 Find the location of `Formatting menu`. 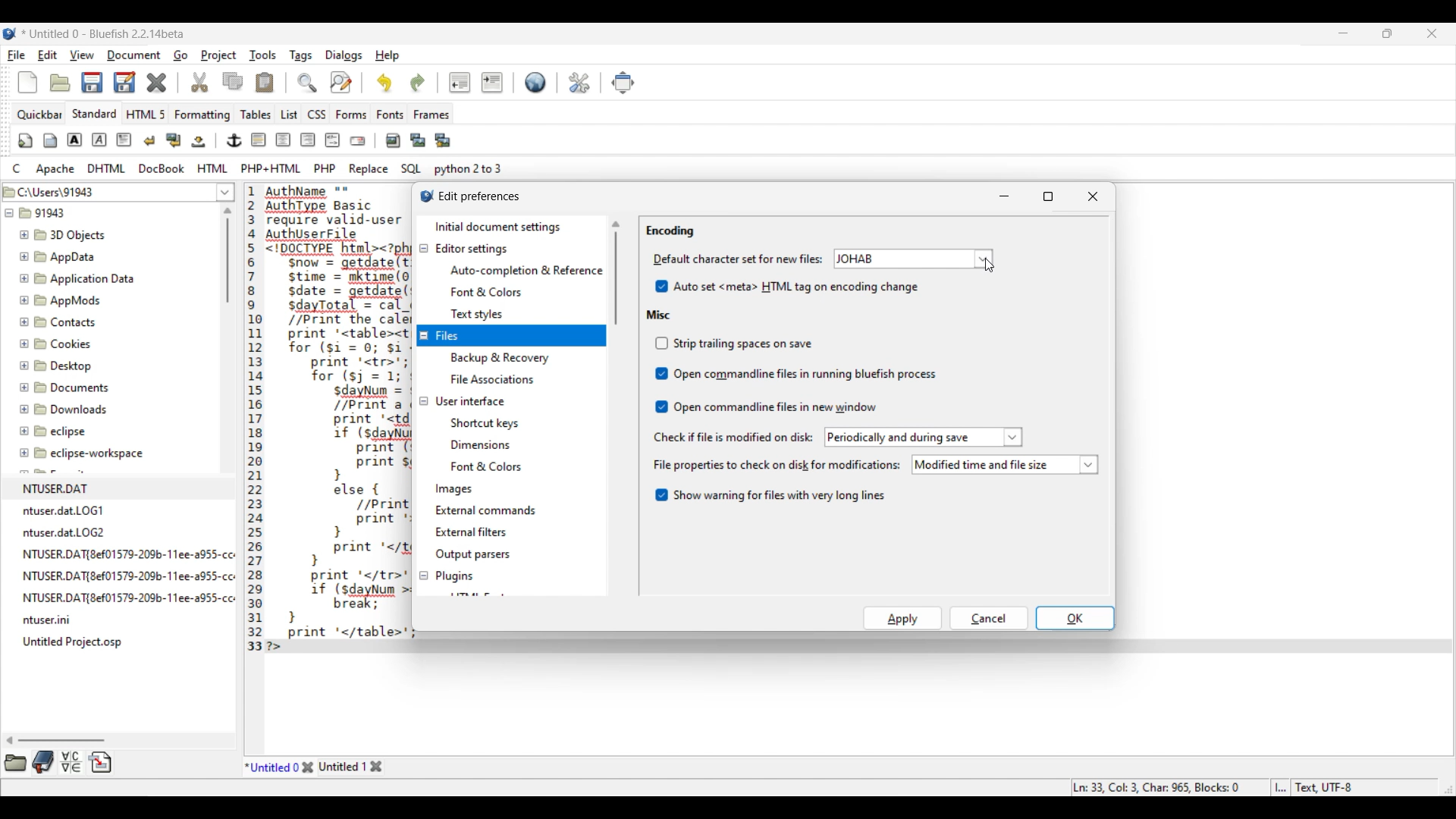

Formatting menu is located at coordinates (202, 115).